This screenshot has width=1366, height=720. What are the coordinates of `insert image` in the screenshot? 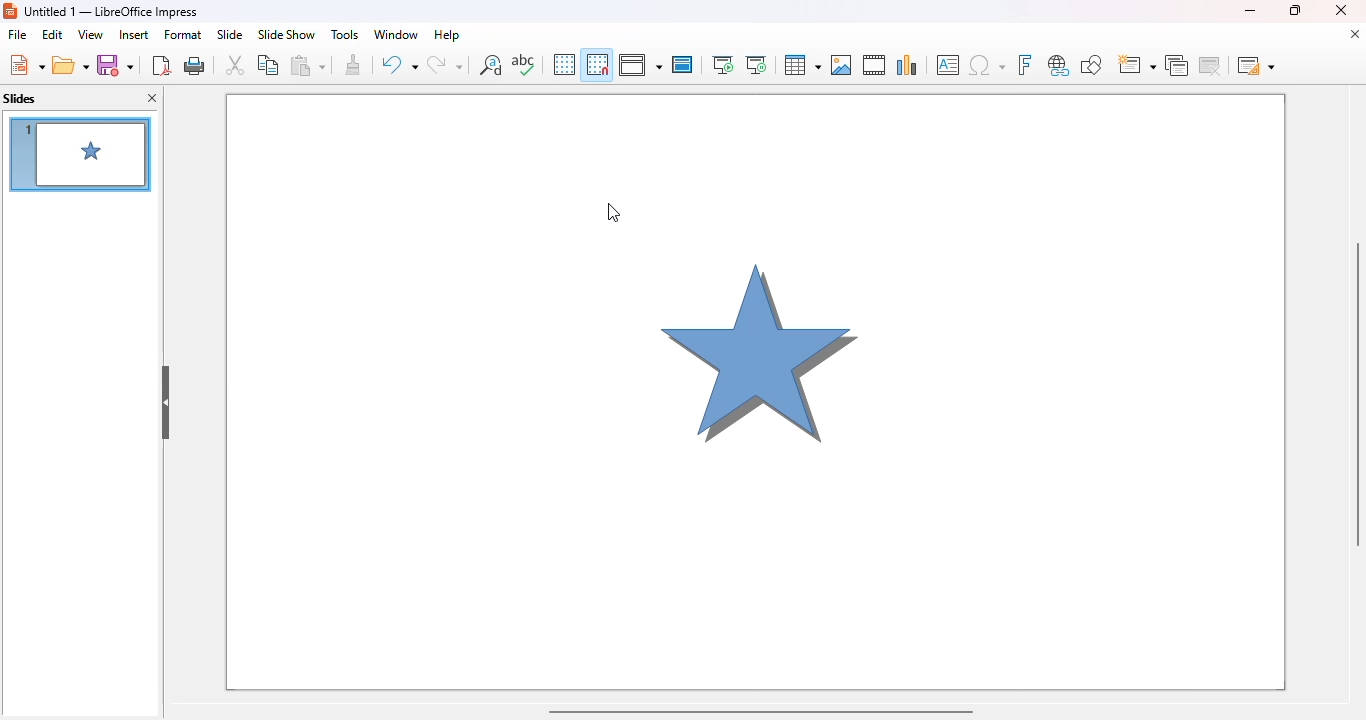 It's located at (842, 65).